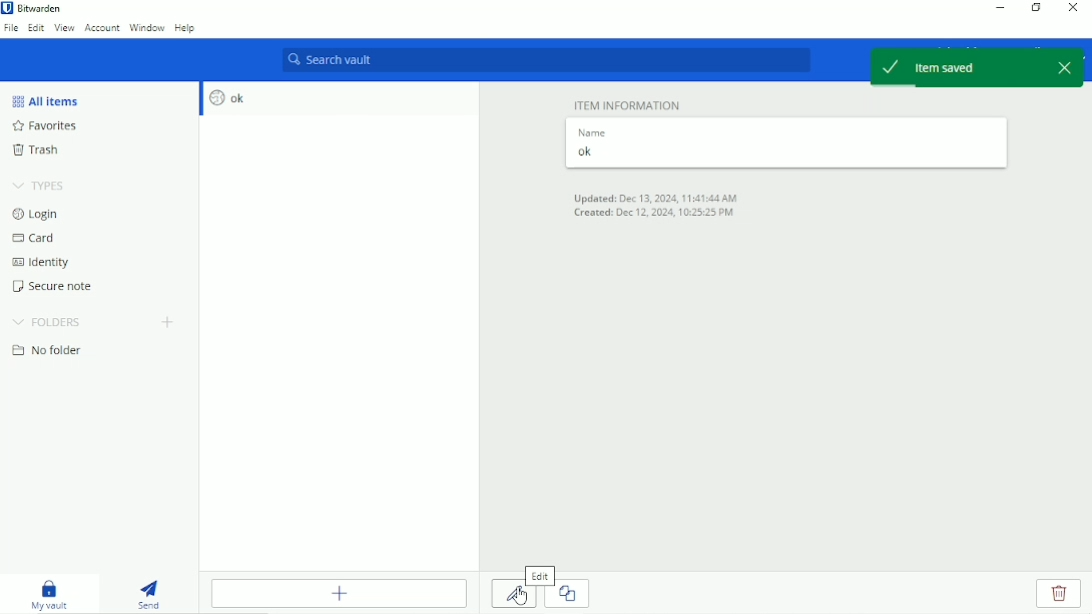  What do you see at coordinates (7, 8) in the screenshot?
I see `bitwarden logo` at bounding box center [7, 8].